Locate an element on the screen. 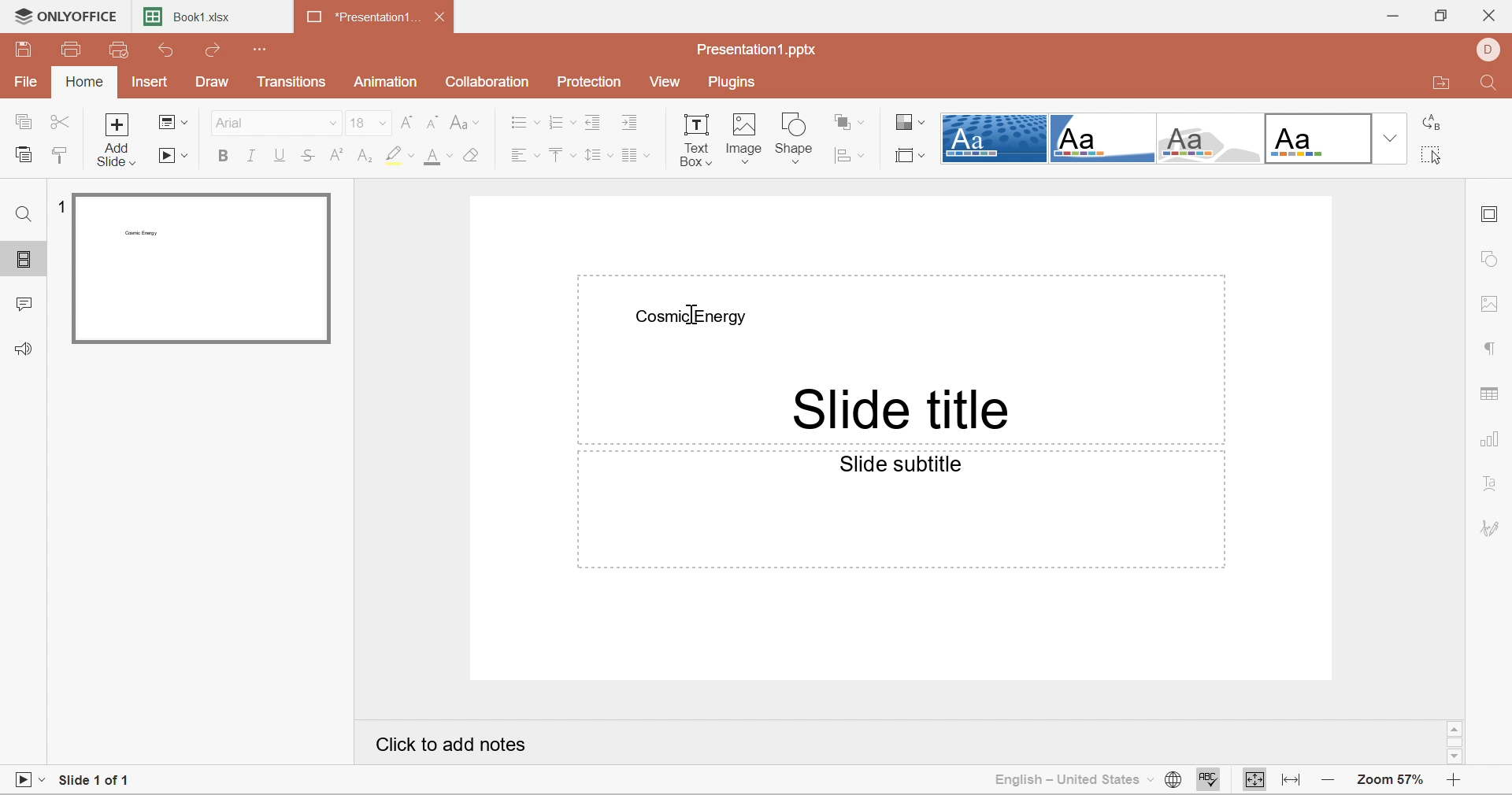  Find is located at coordinates (20, 213).